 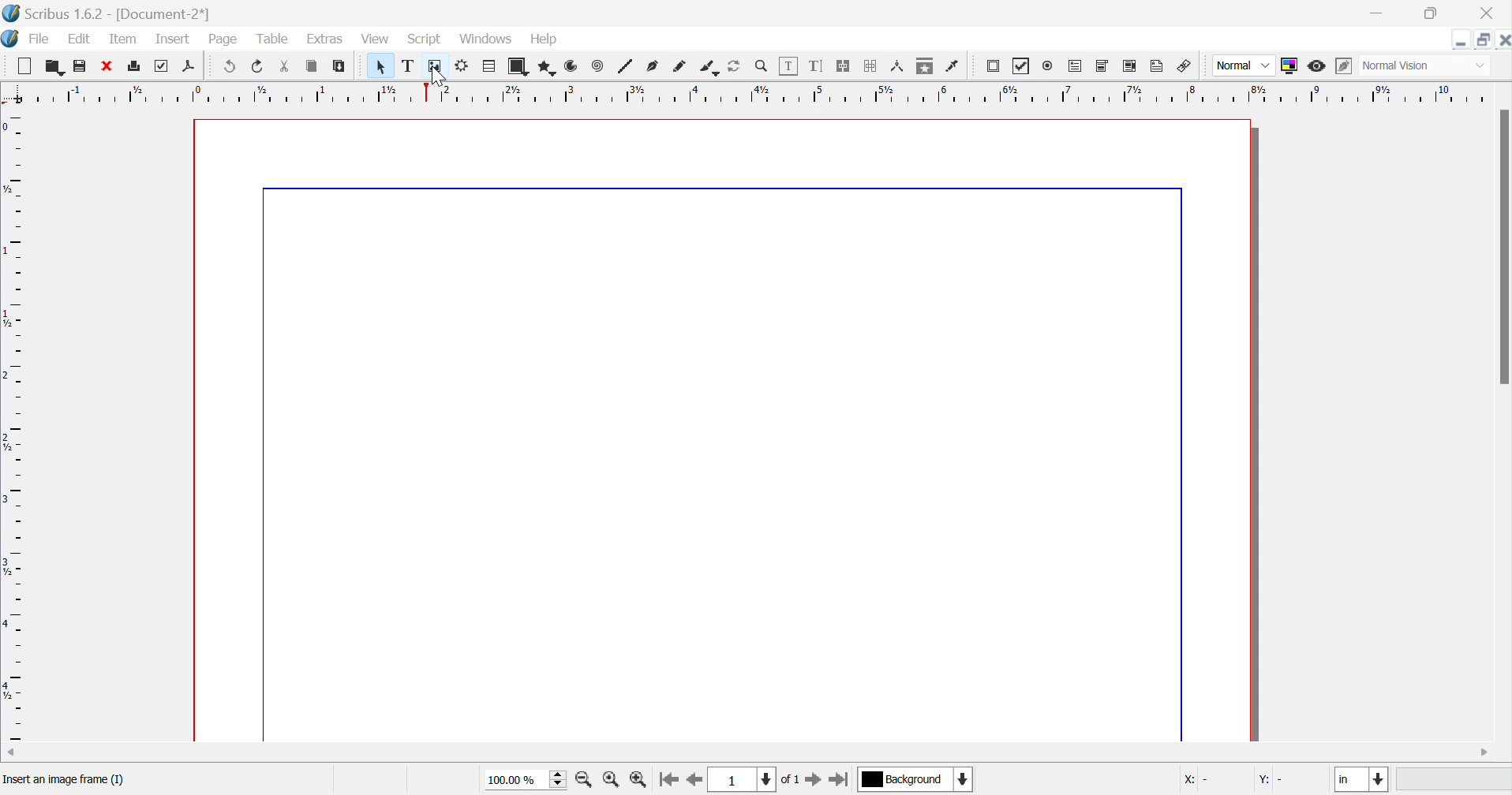 What do you see at coordinates (584, 780) in the screenshot?
I see `zoom in` at bounding box center [584, 780].